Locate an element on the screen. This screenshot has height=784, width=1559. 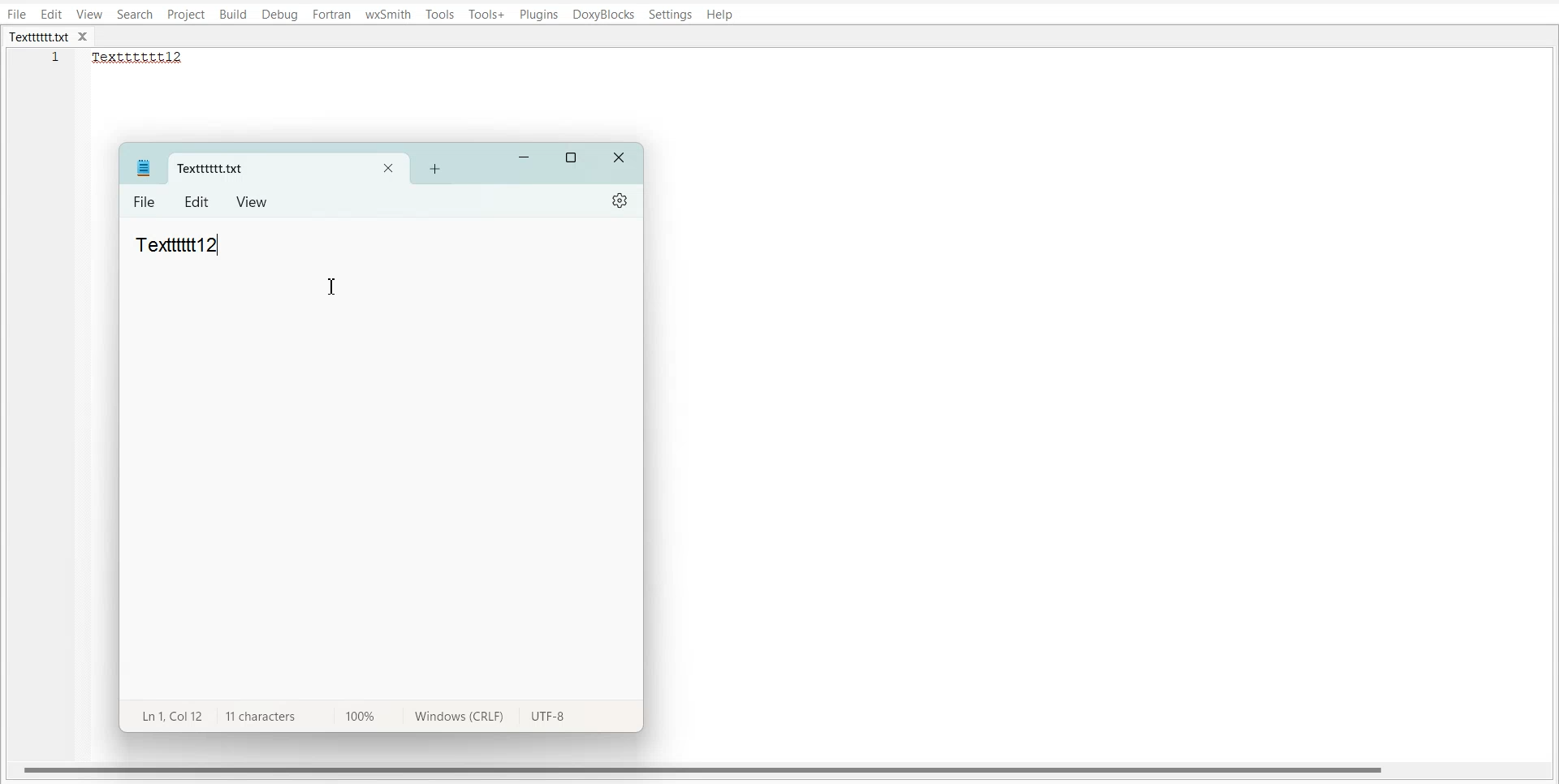
Search is located at coordinates (136, 14).